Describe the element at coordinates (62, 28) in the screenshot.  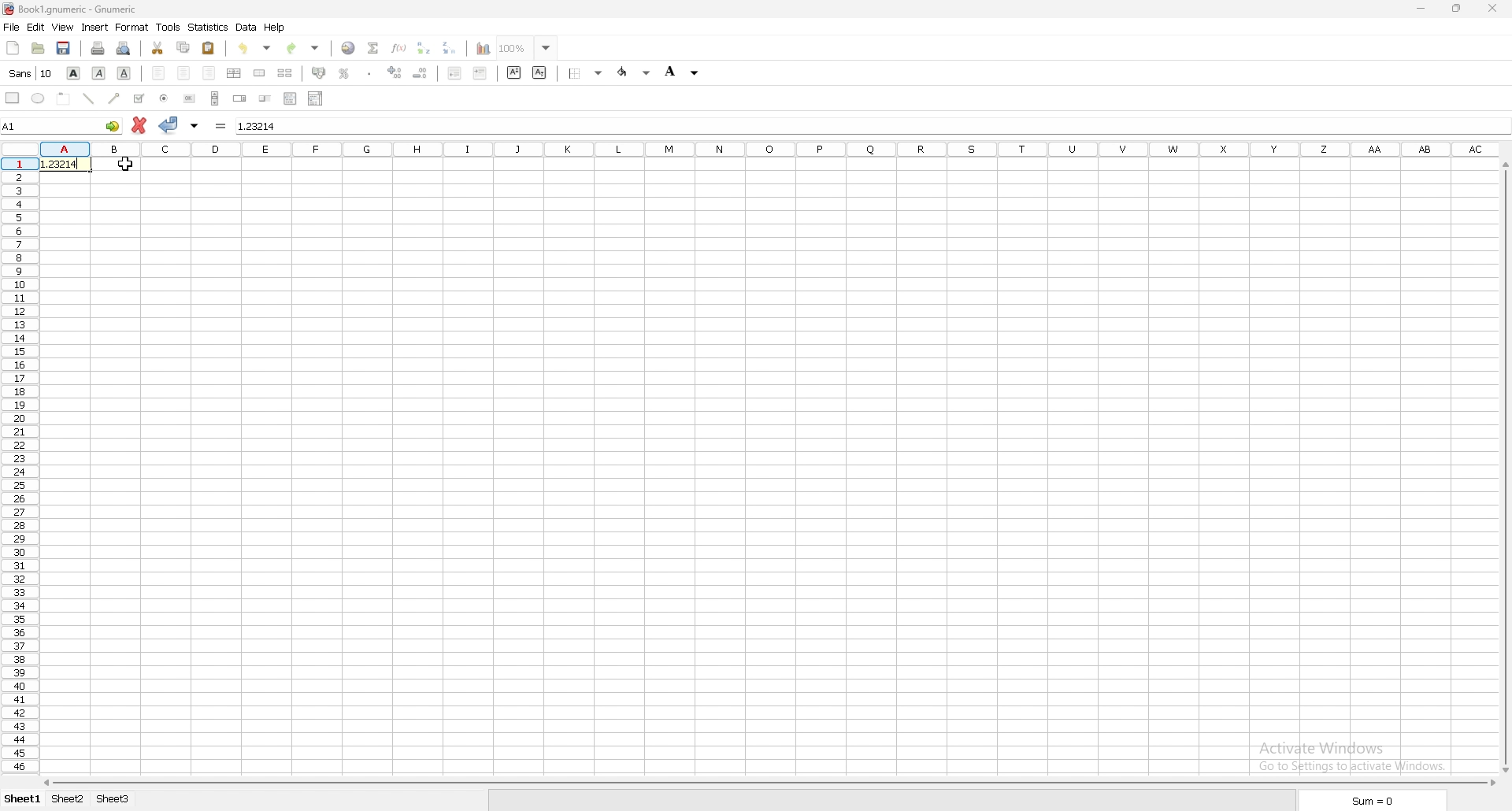
I see `view` at that location.